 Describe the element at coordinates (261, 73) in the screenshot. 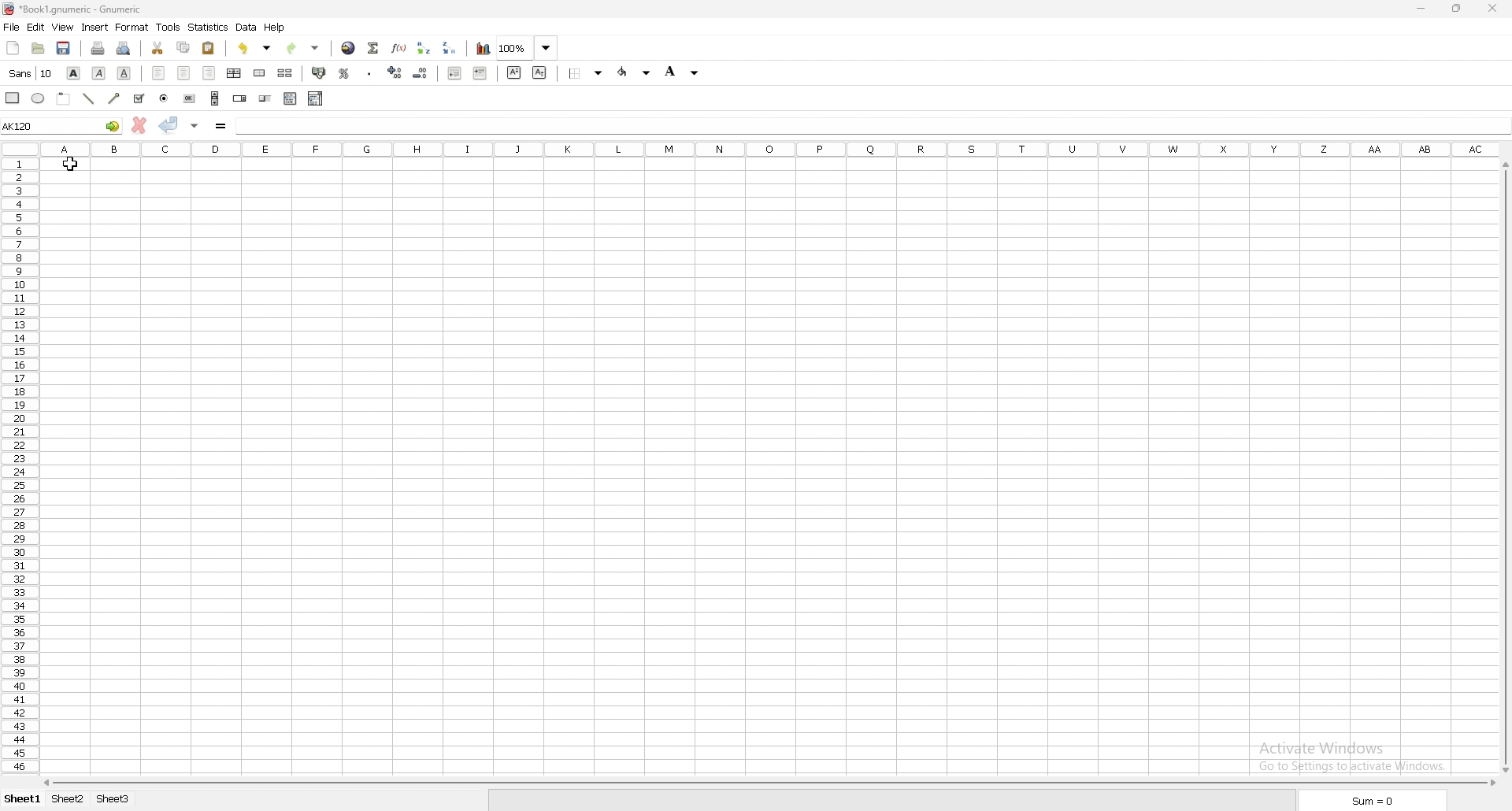

I see `merge cells` at that location.